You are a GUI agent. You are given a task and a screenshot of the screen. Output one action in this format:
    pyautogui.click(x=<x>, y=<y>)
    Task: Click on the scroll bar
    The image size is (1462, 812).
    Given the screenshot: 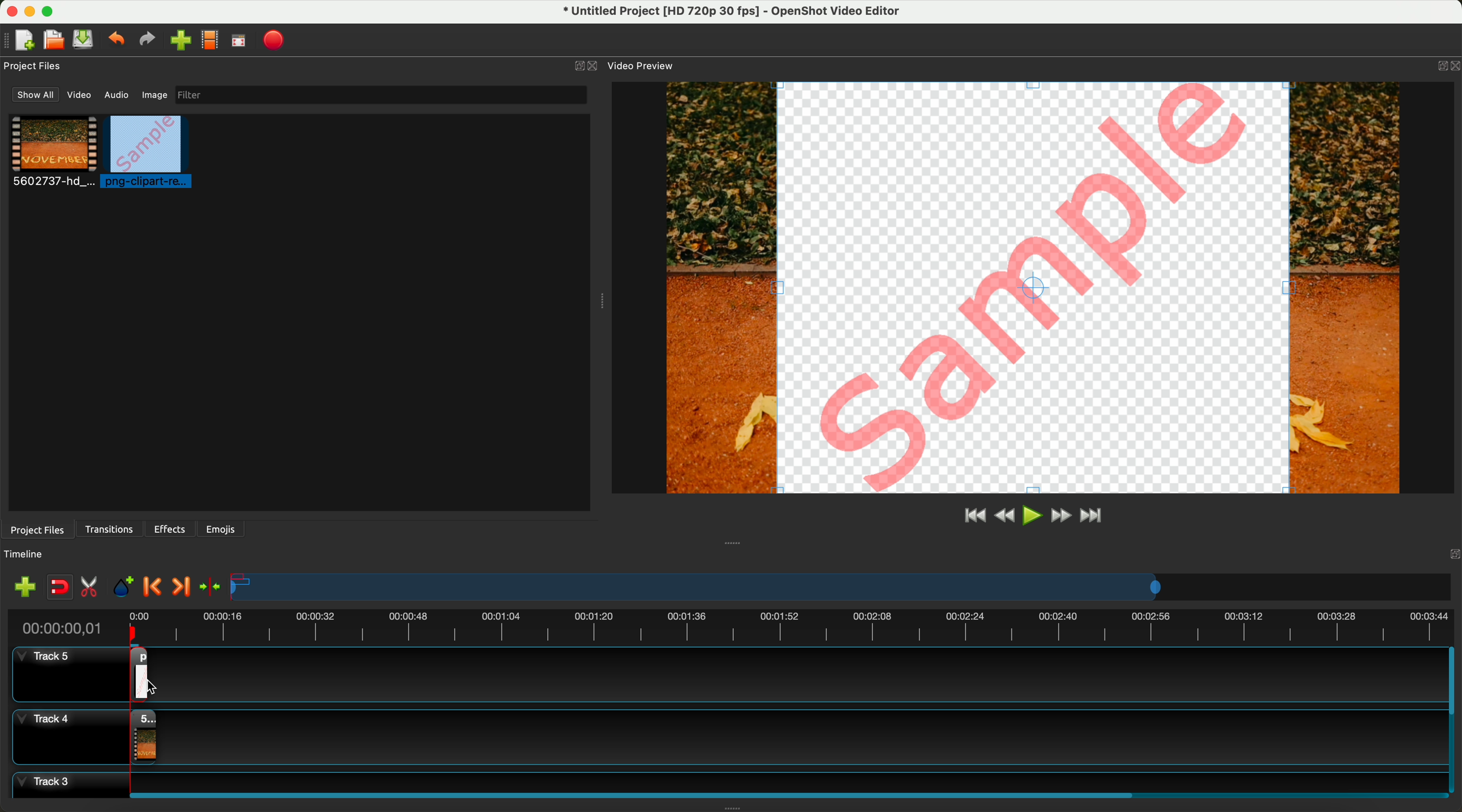 What is the action you would take?
    pyautogui.click(x=783, y=793)
    